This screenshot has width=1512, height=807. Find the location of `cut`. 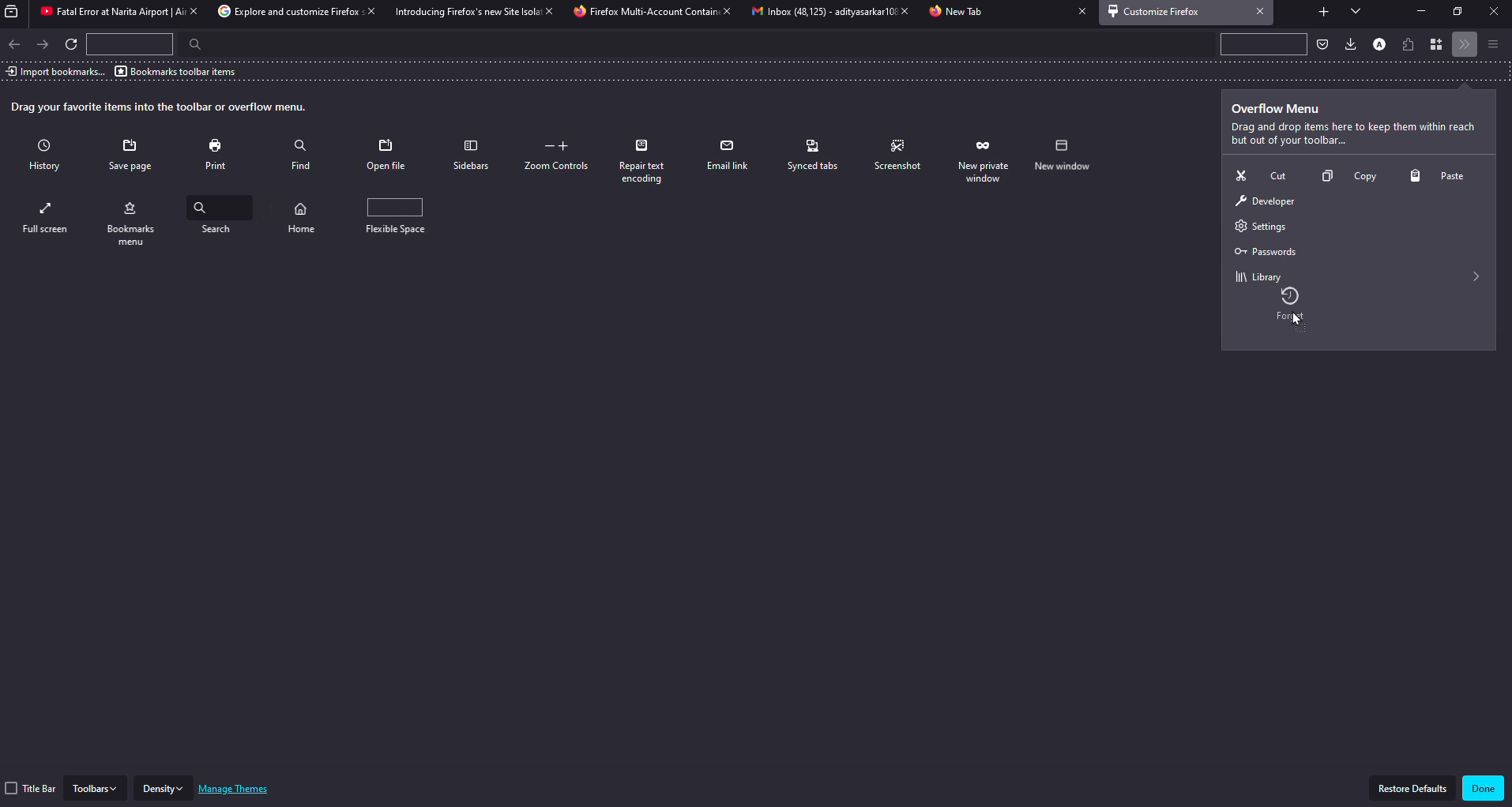

cut is located at coordinates (1258, 175).